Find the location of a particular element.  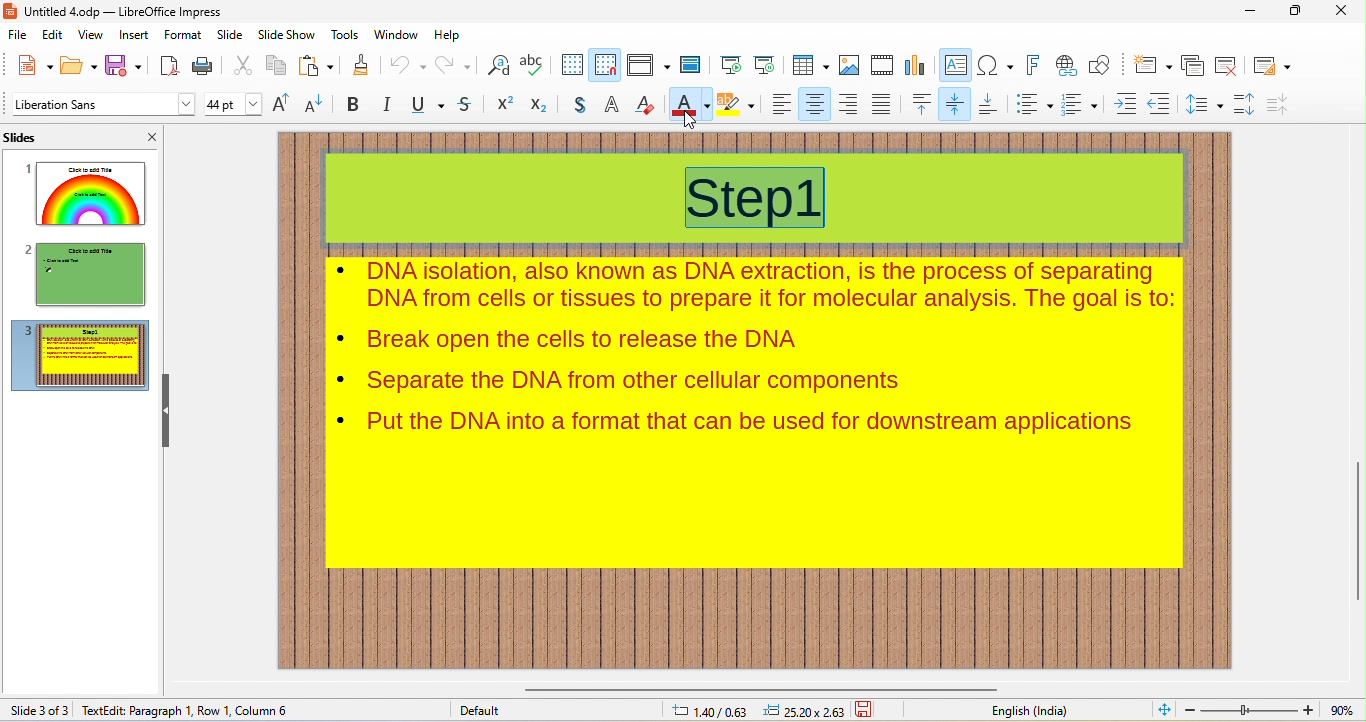

justified is located at coordinates (881, 104).